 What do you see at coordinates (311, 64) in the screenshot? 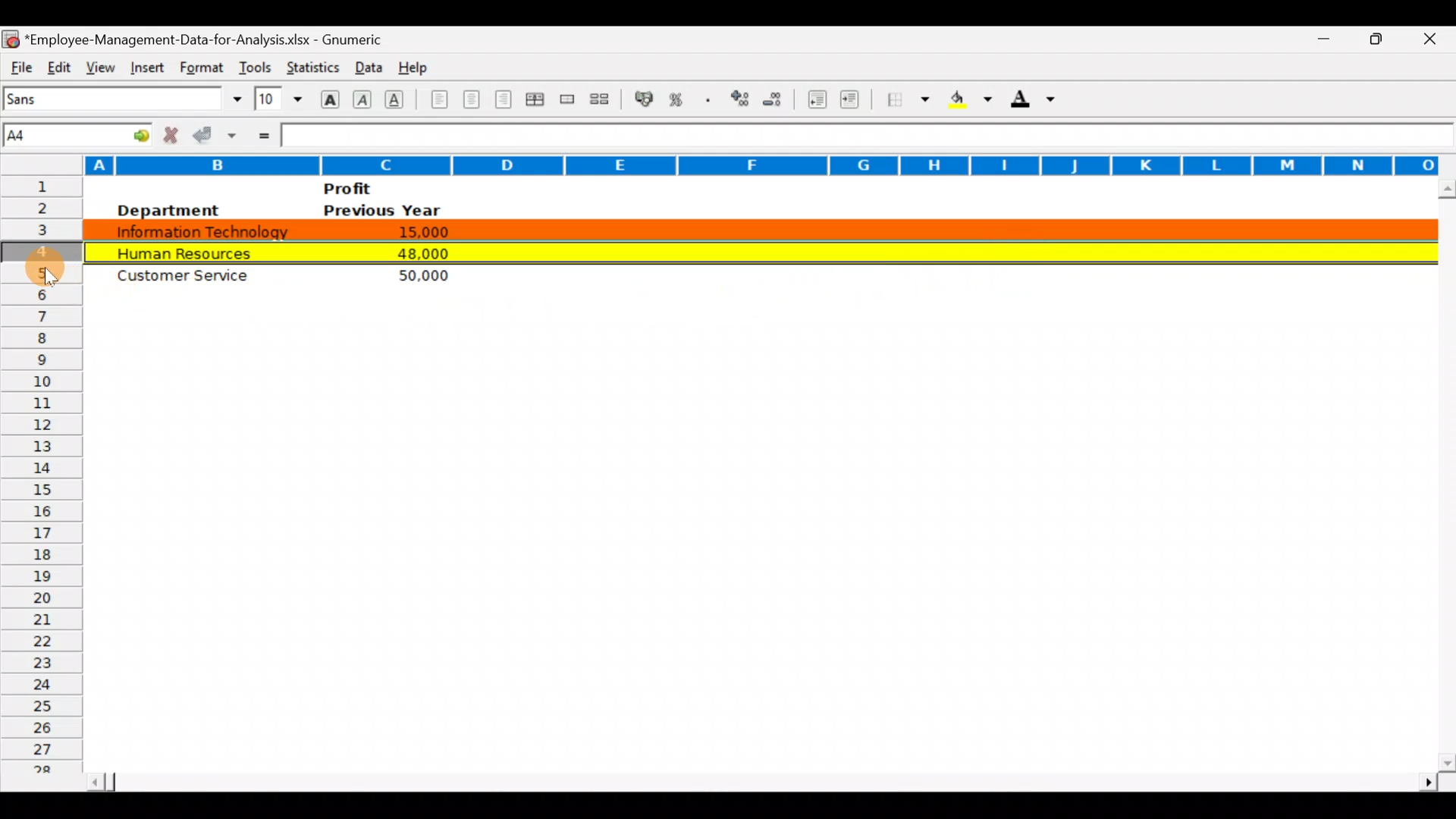
I see `Statistics` at bounding box center [311, 64].